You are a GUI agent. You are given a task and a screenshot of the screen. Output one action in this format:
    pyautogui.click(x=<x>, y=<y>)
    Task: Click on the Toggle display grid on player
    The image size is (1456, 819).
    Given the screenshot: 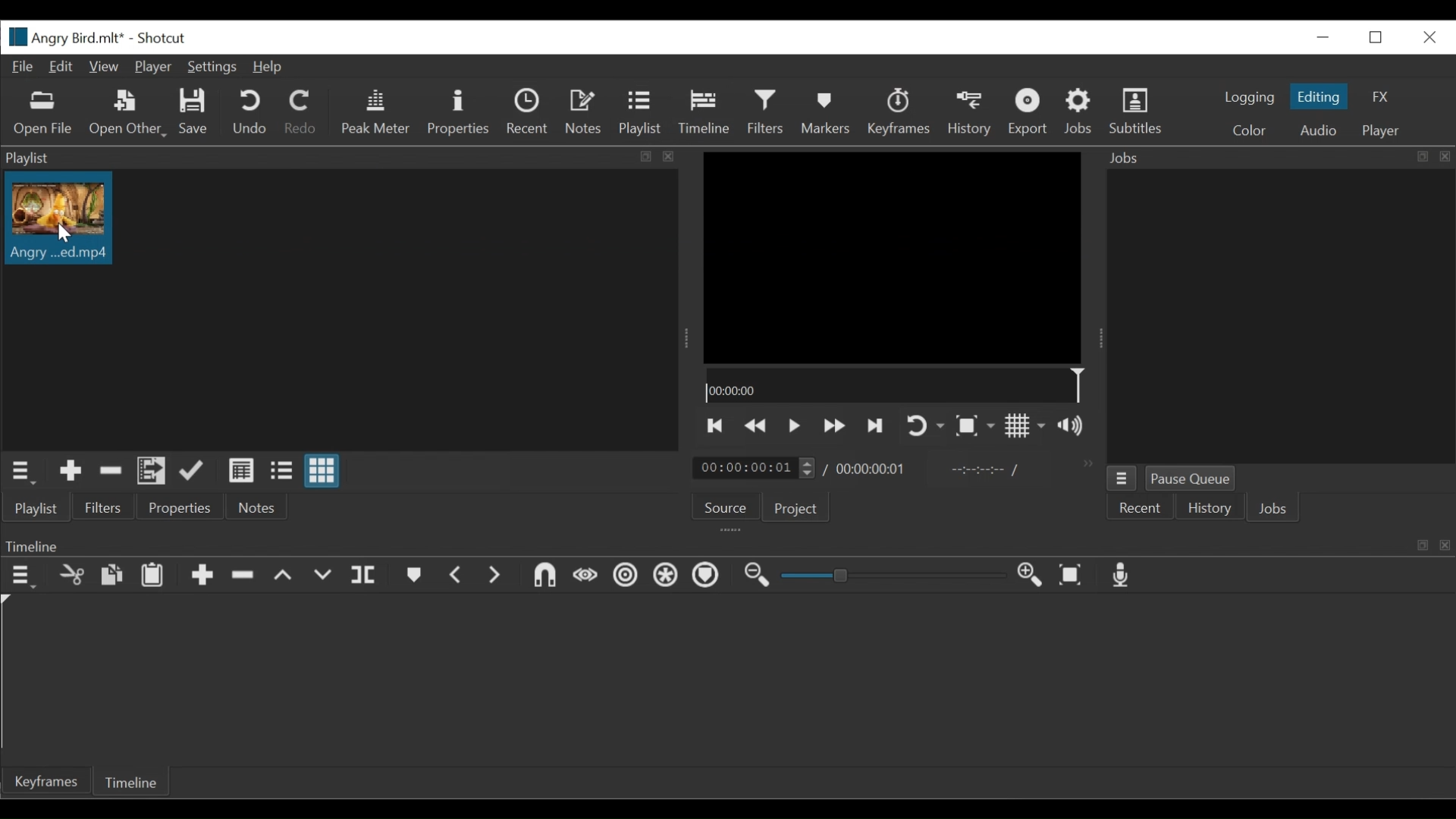 What is the action you would take?
    pyautogui.click(x=1026, y=426)
    